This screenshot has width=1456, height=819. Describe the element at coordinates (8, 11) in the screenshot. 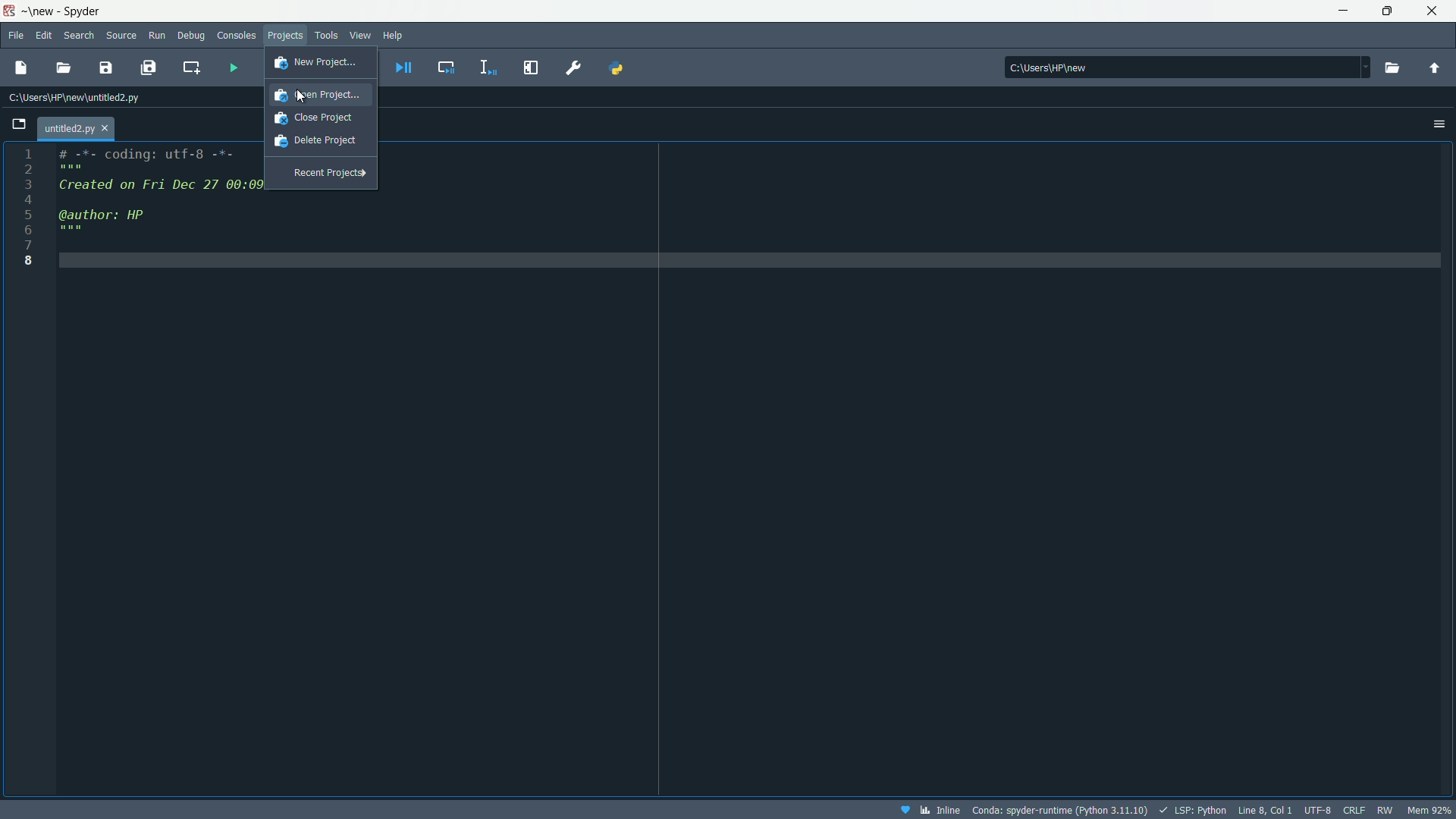

I see `app icon` at that location.